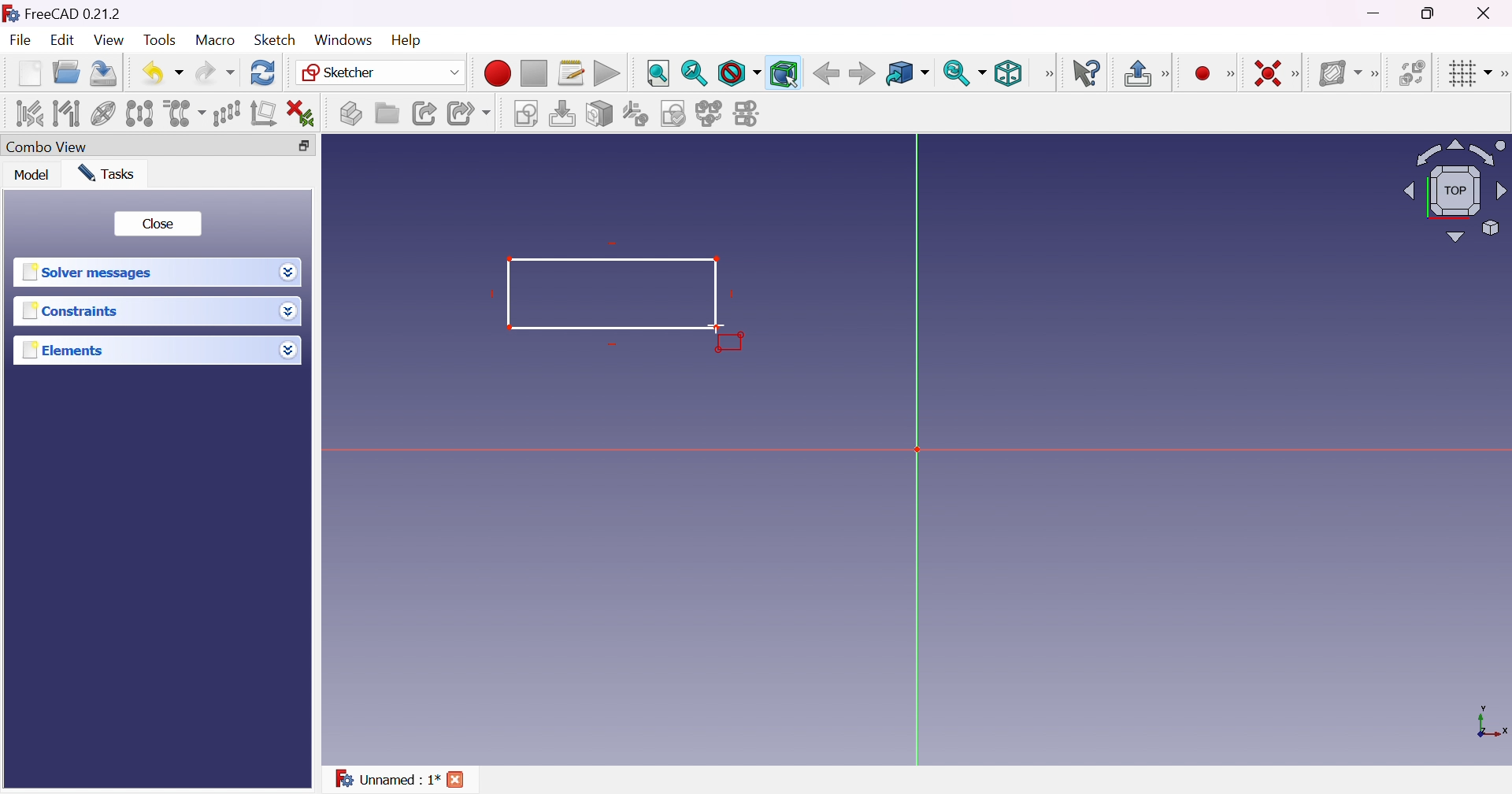  Describe the element at coordinates (289, 351) in the screenshot. I see `Drop down` at that location.